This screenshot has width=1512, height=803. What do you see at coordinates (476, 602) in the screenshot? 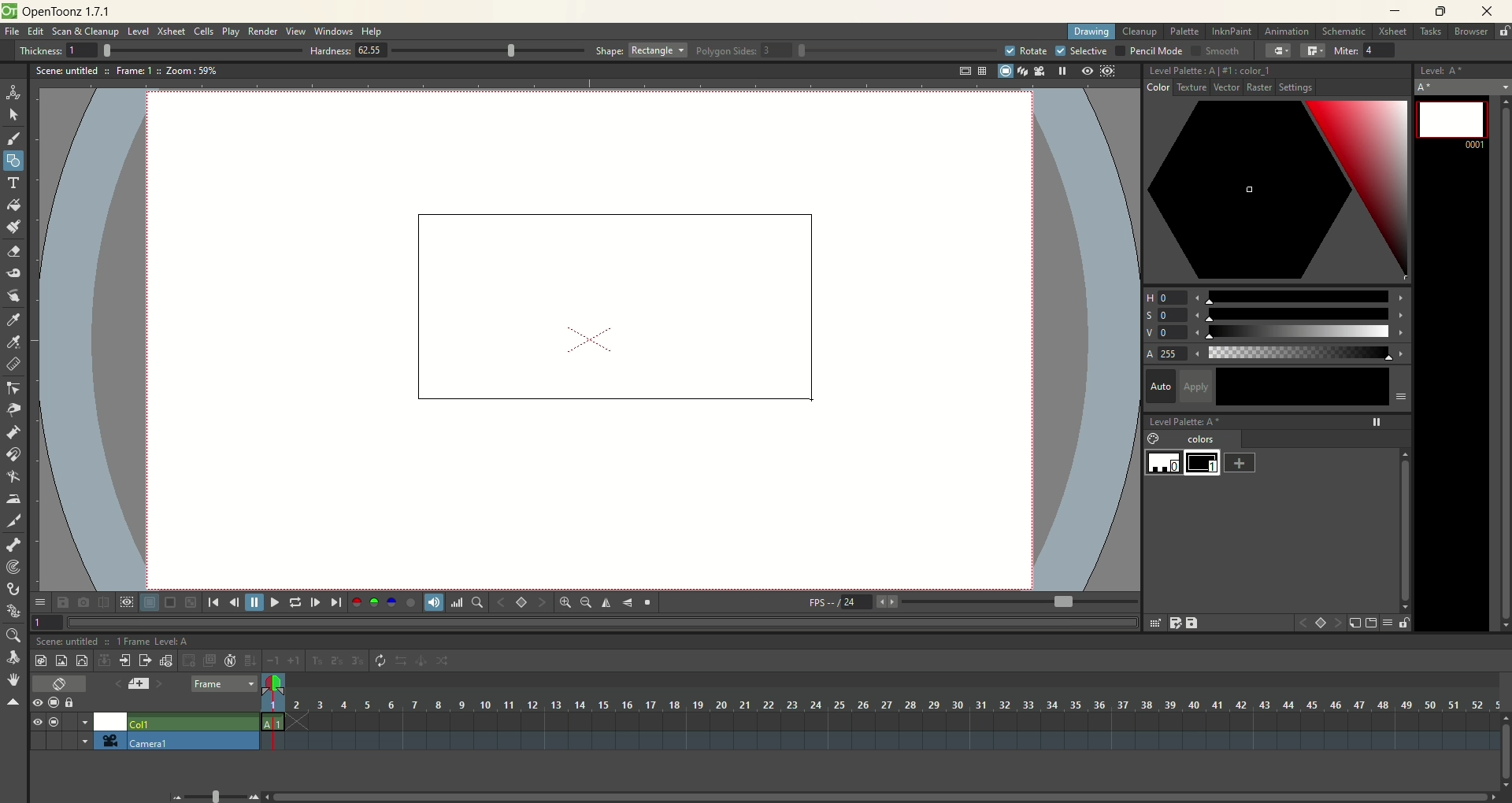
I see `locator` at bounding box center [476, 602].